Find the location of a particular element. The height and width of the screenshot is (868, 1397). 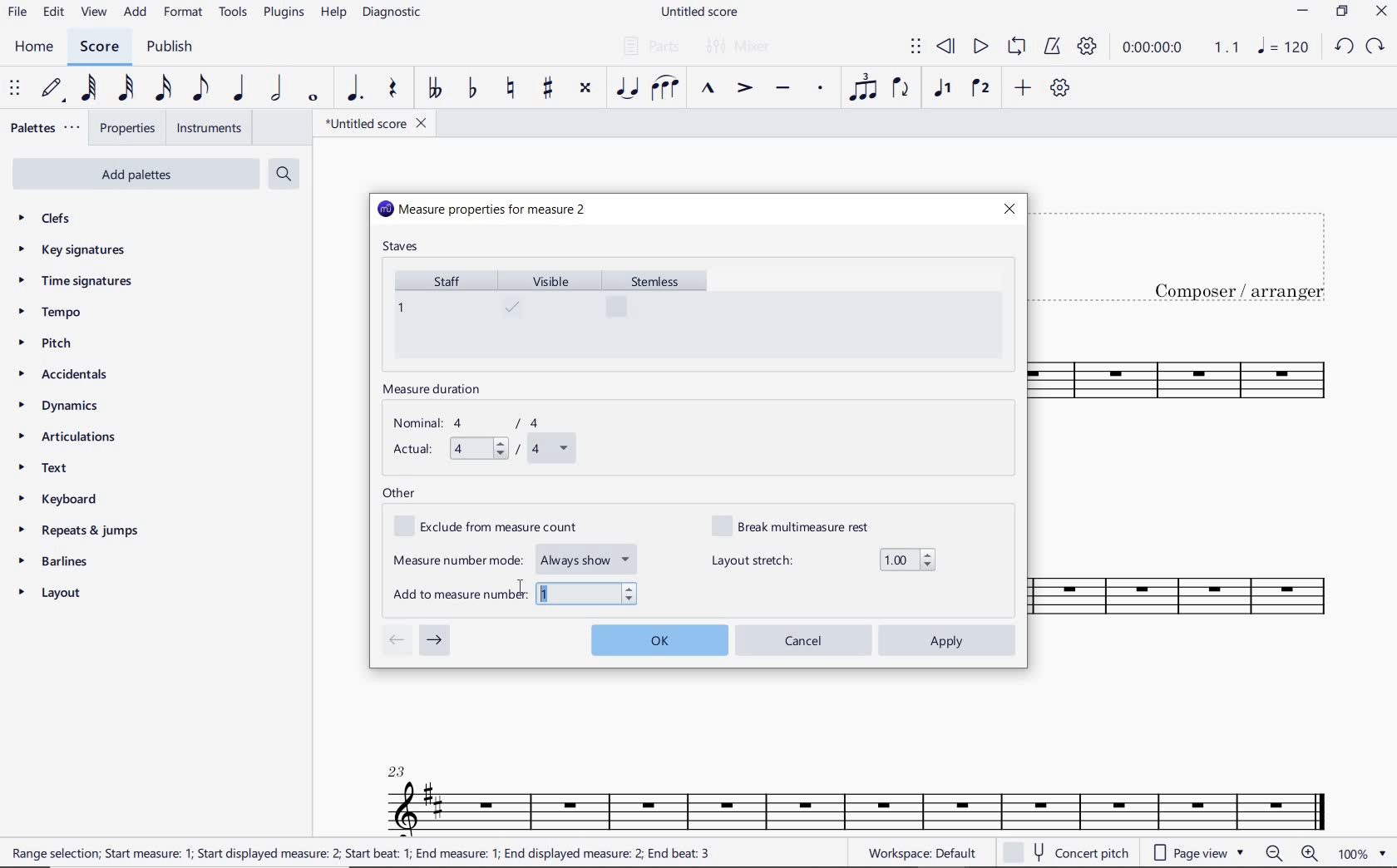

TIE is located at coordinates (627, 87).